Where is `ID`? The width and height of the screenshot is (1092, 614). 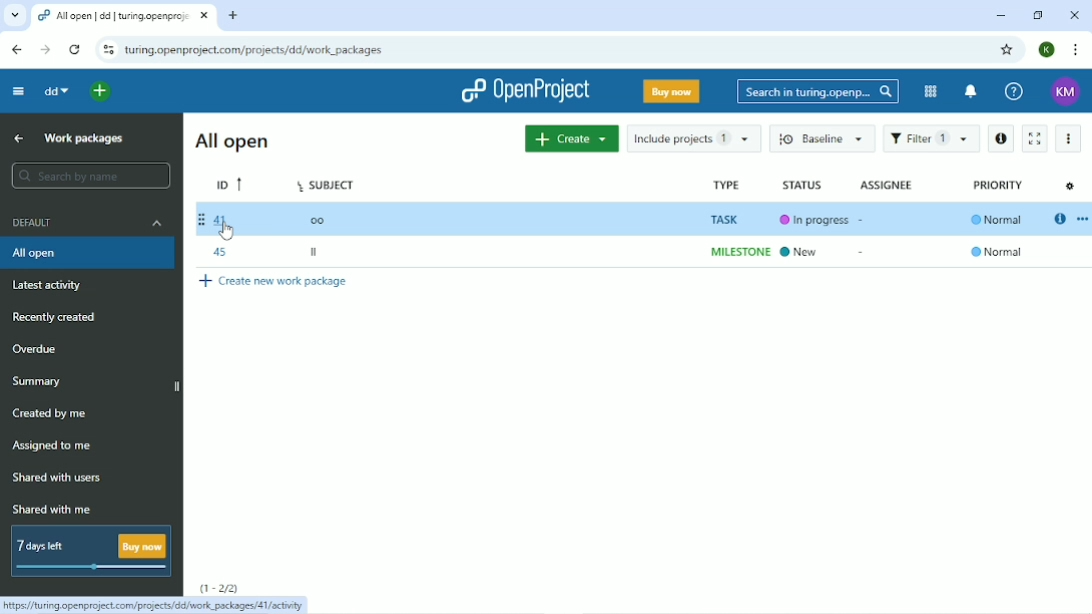 ID is located at coordinates (231, 220).